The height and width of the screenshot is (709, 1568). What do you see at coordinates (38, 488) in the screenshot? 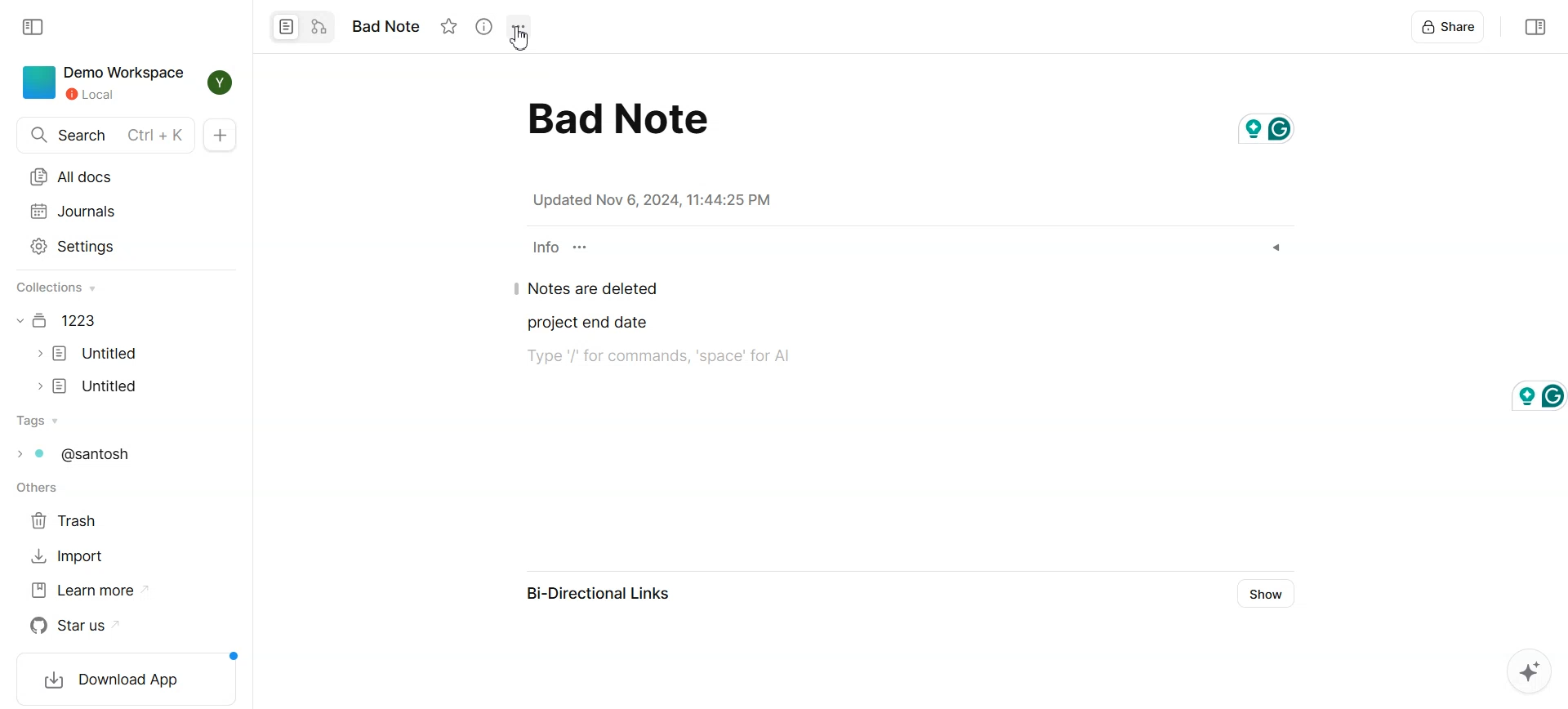
I see `others` at bounding box center [38, 488].